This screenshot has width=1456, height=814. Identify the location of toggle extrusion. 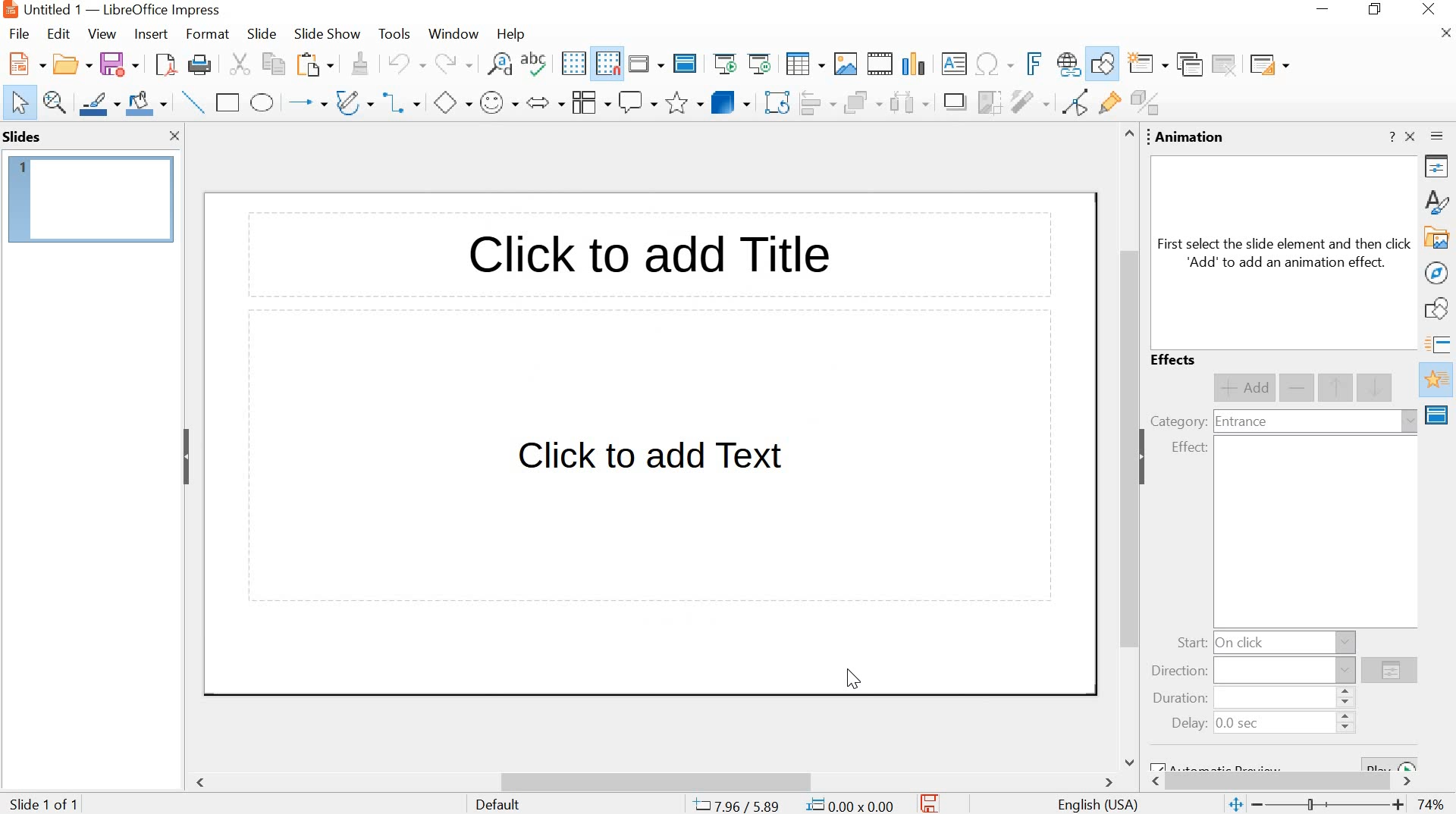
(1149, 104).